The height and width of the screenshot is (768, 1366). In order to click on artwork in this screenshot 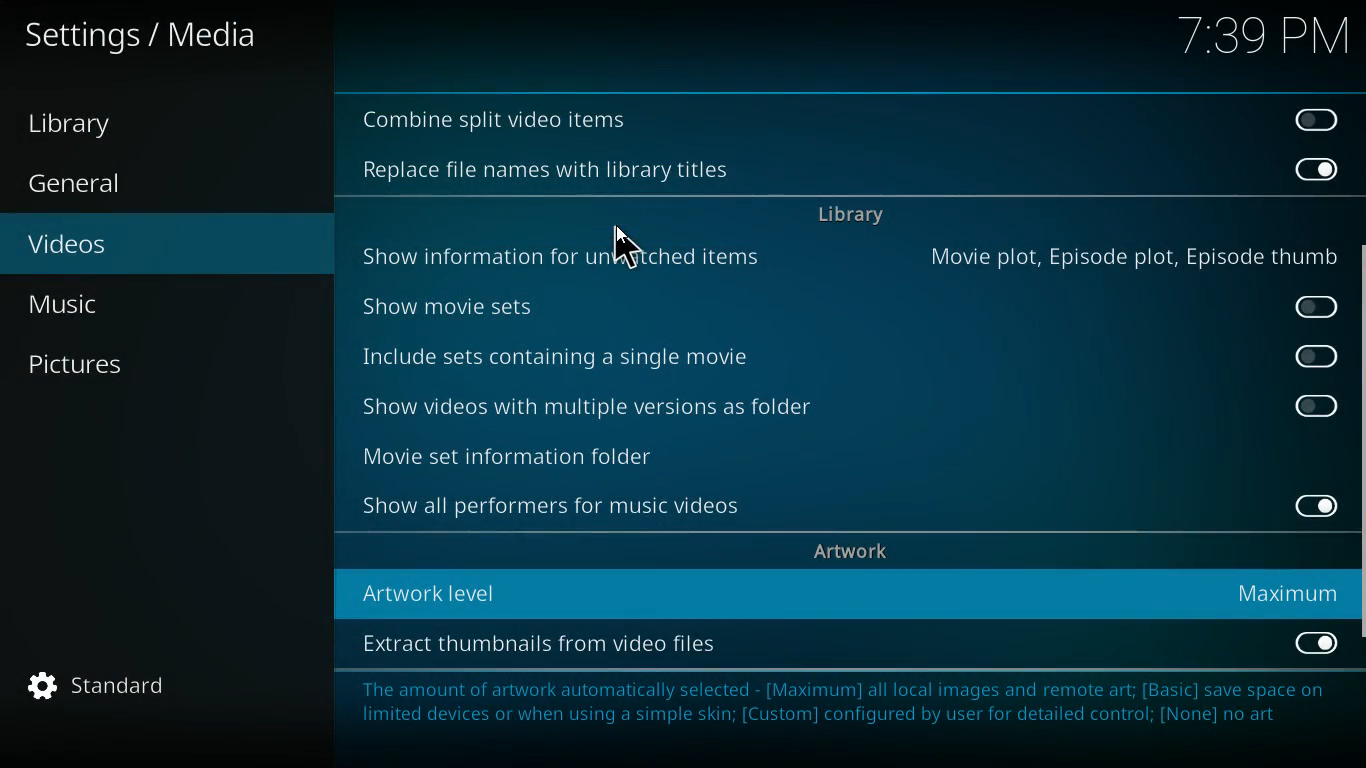, I will do `click(854, 552)`.